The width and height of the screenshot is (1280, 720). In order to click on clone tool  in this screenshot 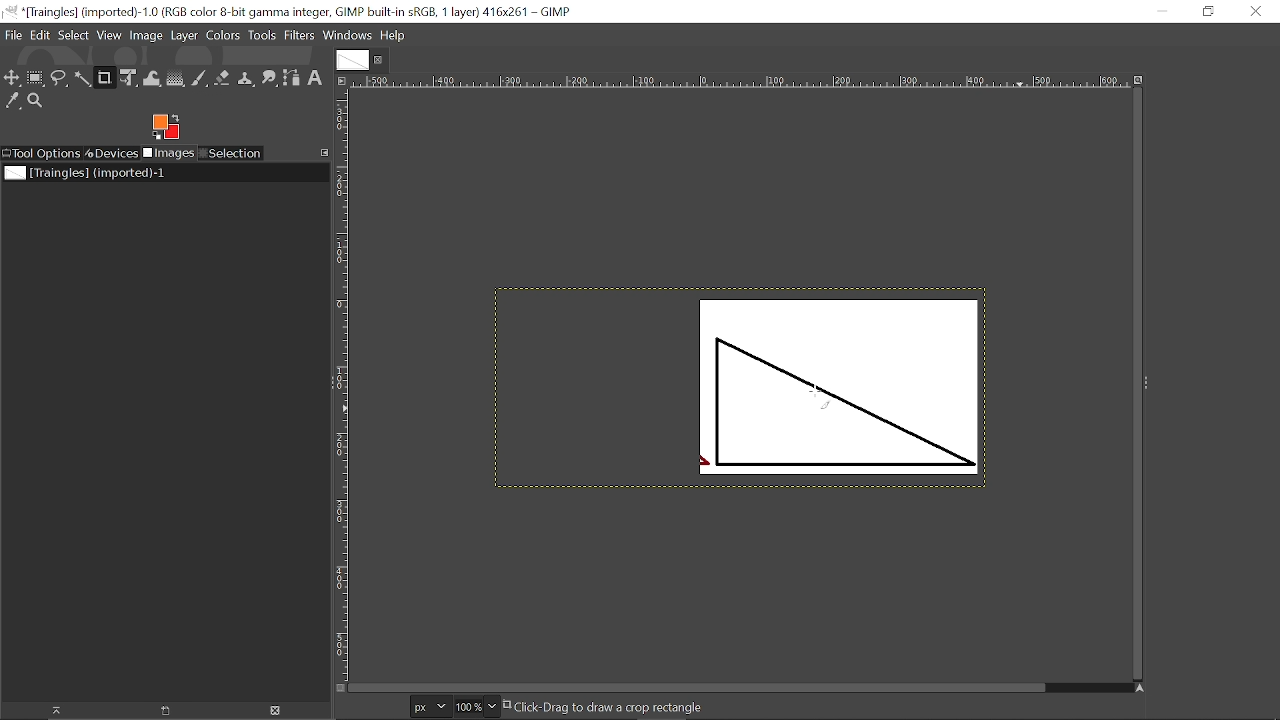, I will do `click(245, 79)`.